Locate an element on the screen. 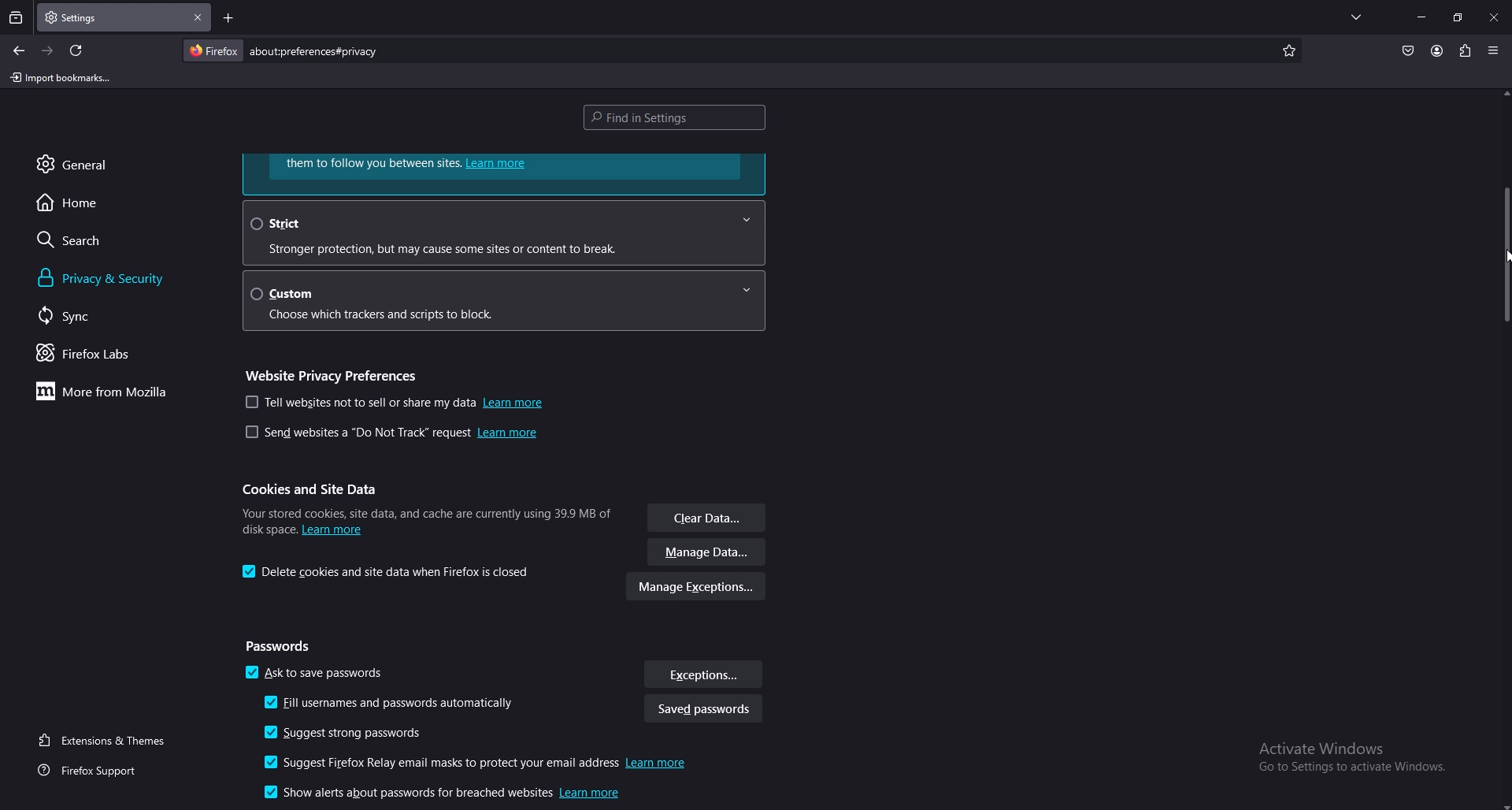 This screenshot has height=810, width=1512. scroll down is located at coordinates (1503, 804).